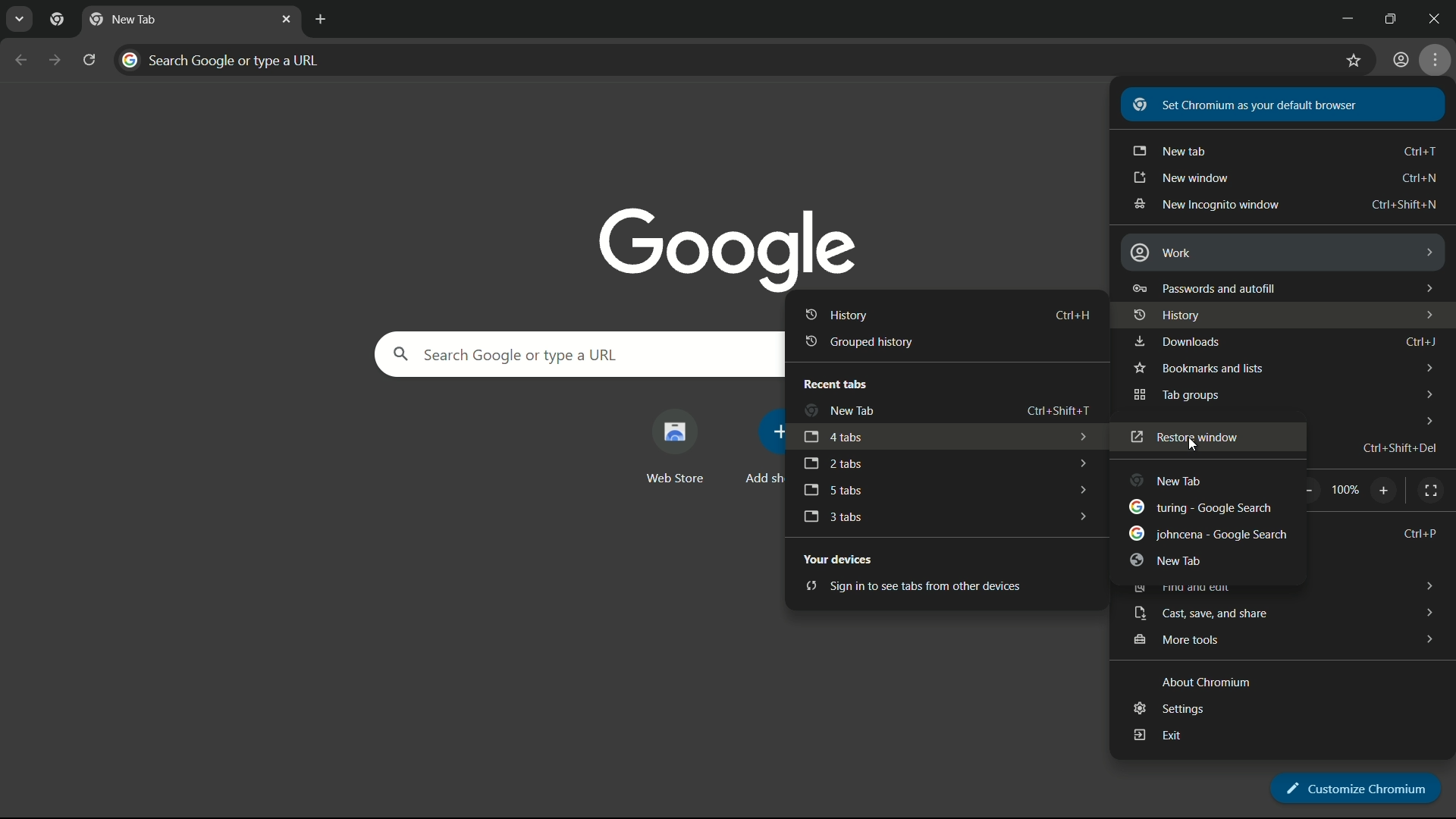 The height and width of the screenshot is (819, 1456). Describe the element at coordinates (57, 20) in the screenshot. I see `chrome icon` at that location.